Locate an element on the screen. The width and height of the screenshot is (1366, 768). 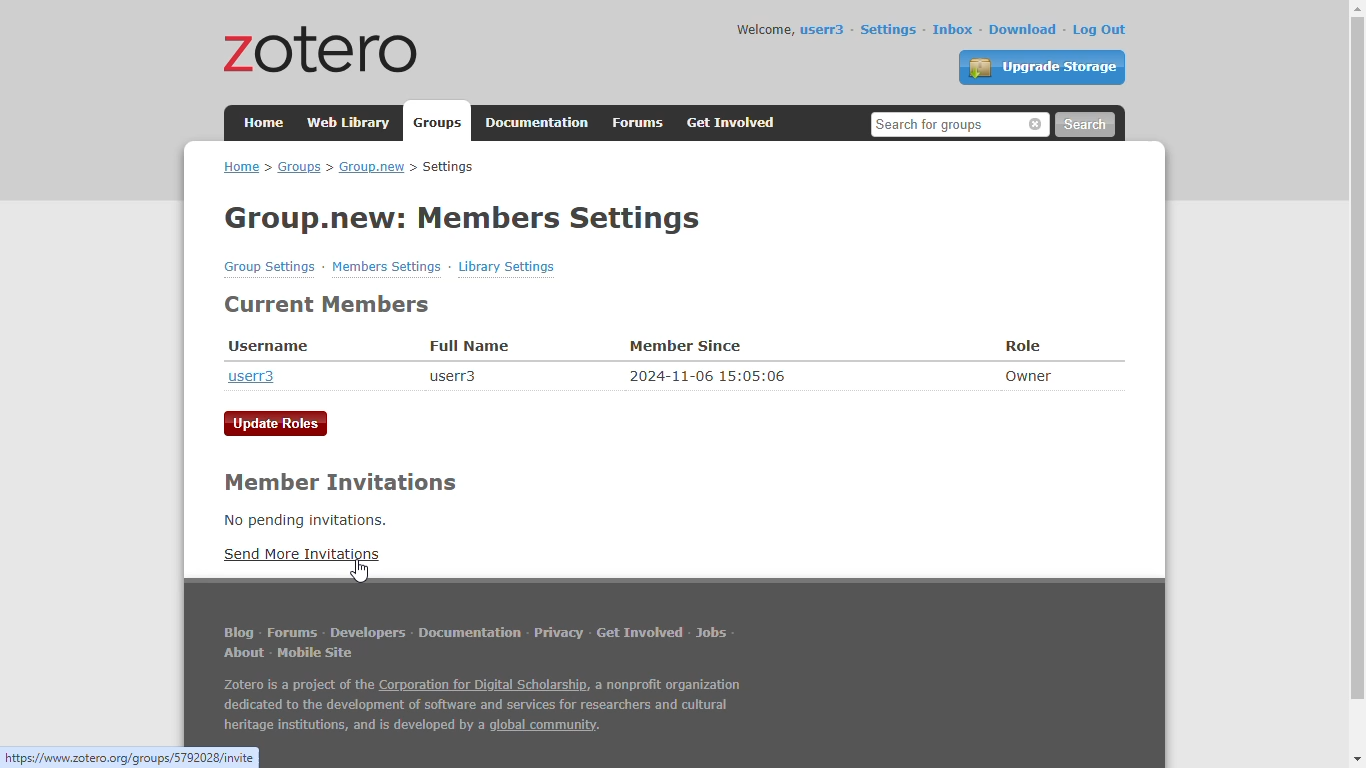
get involved is located at coordinates (733, 123).